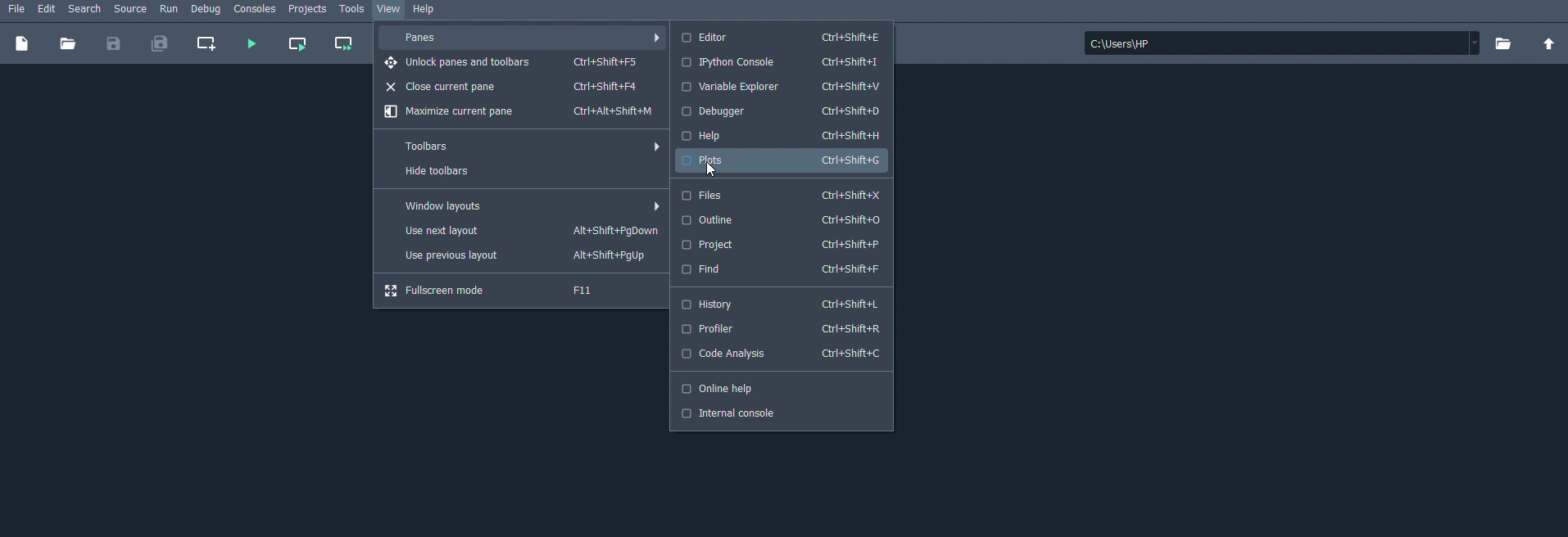 The height and width of the screenshot is (537, 1568). I want to click on Plots, so click(778, 160).